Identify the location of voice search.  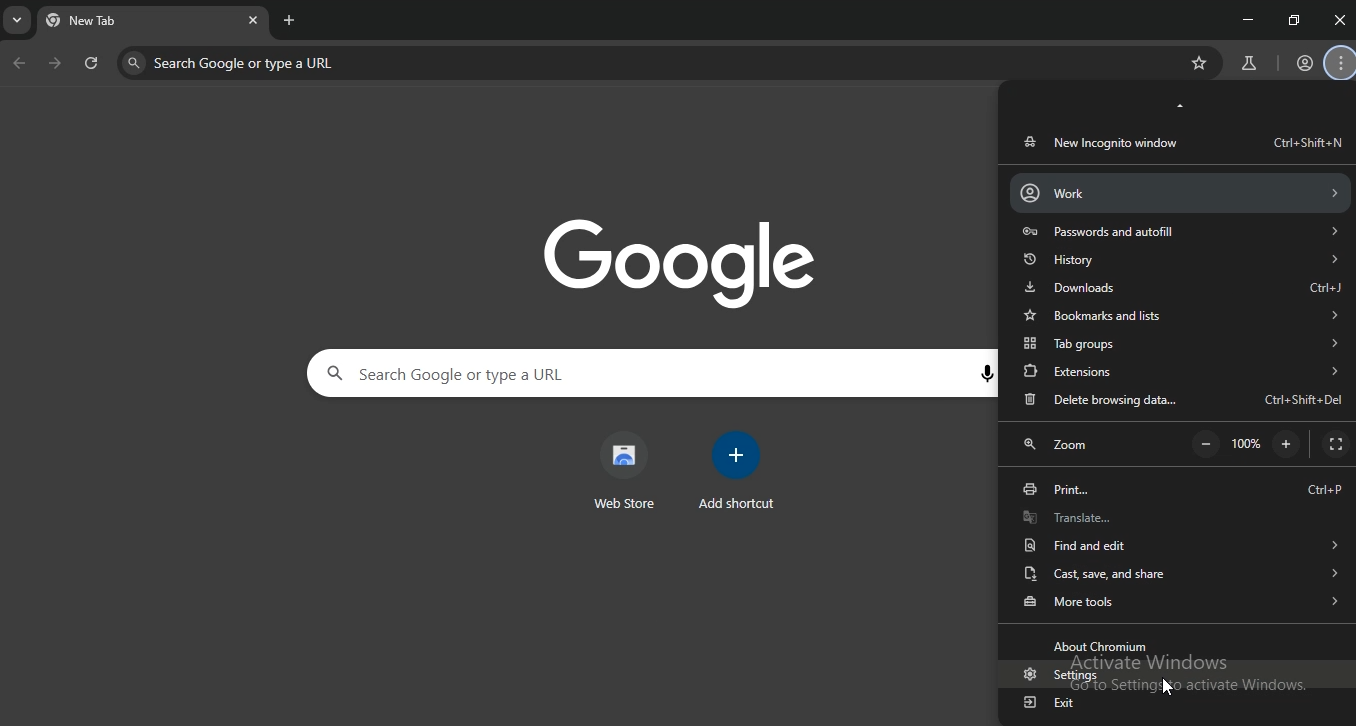
(985, 375).